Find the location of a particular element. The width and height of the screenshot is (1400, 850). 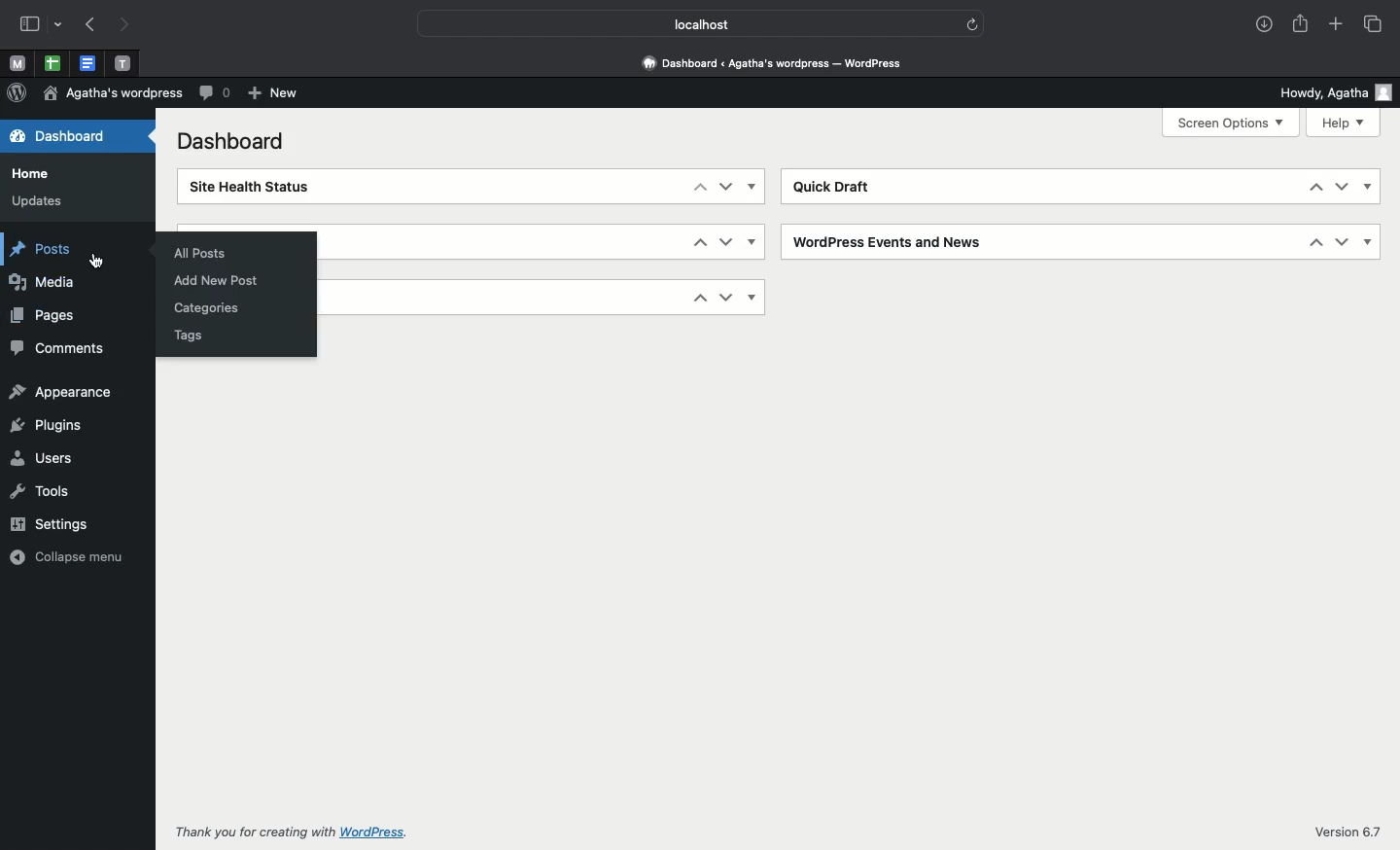

Posts is located at coordinates (52, 253).